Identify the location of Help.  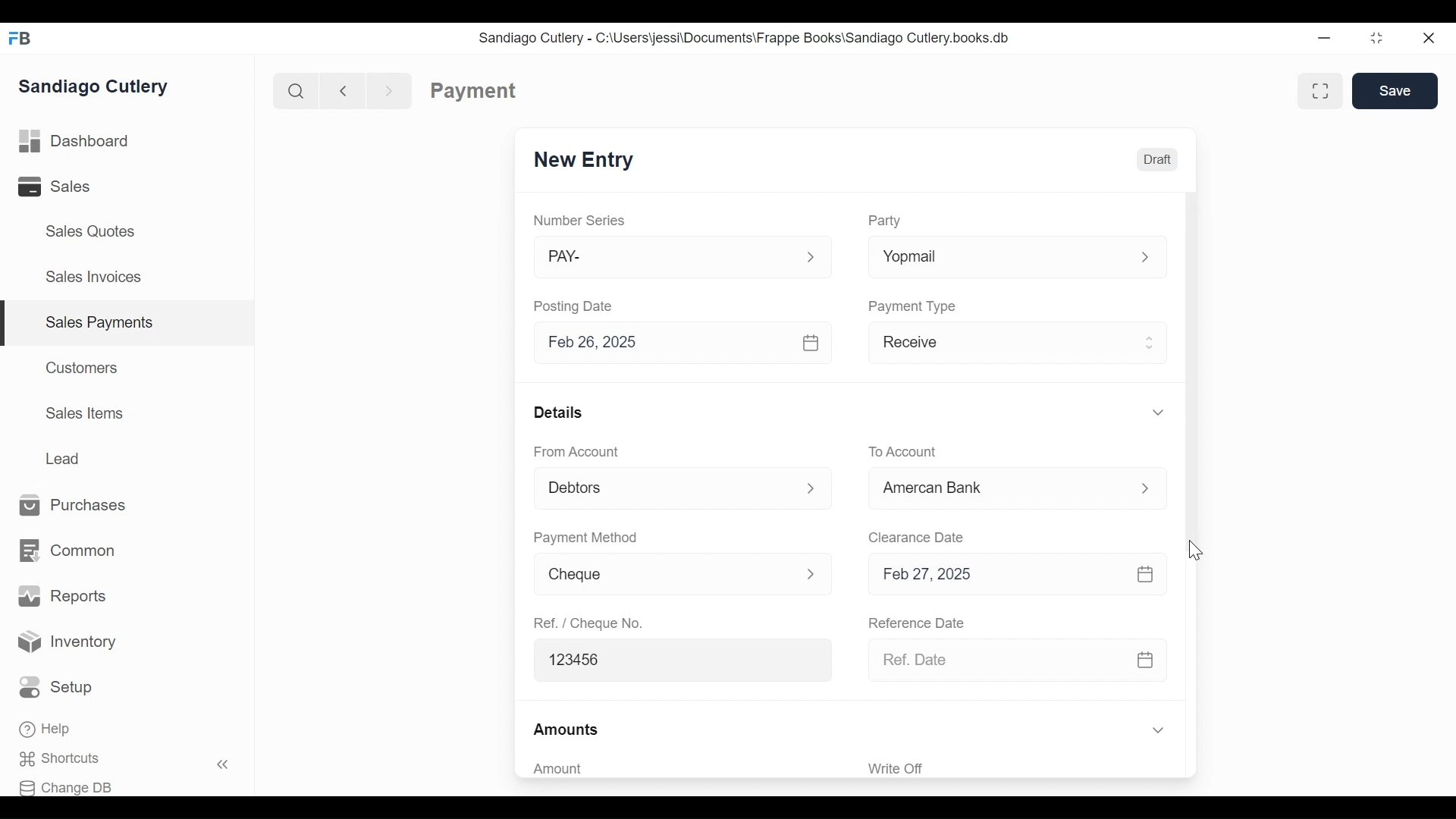
(47, 730).